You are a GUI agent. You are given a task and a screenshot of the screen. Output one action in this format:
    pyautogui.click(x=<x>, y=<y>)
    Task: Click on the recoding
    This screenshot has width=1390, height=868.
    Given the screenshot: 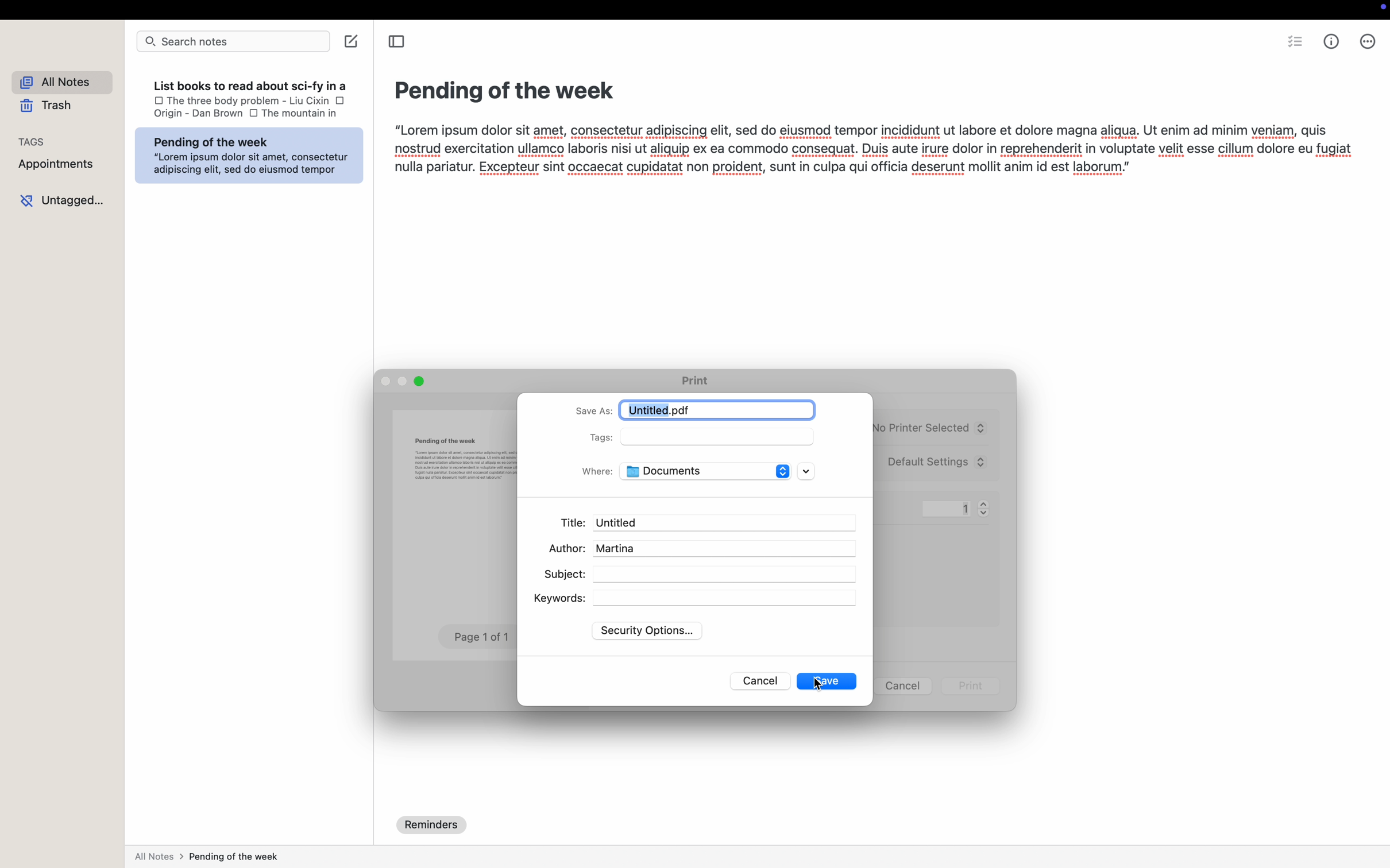 What is the action you would take?
    pyautogui.click(x=1381, y=9)
    